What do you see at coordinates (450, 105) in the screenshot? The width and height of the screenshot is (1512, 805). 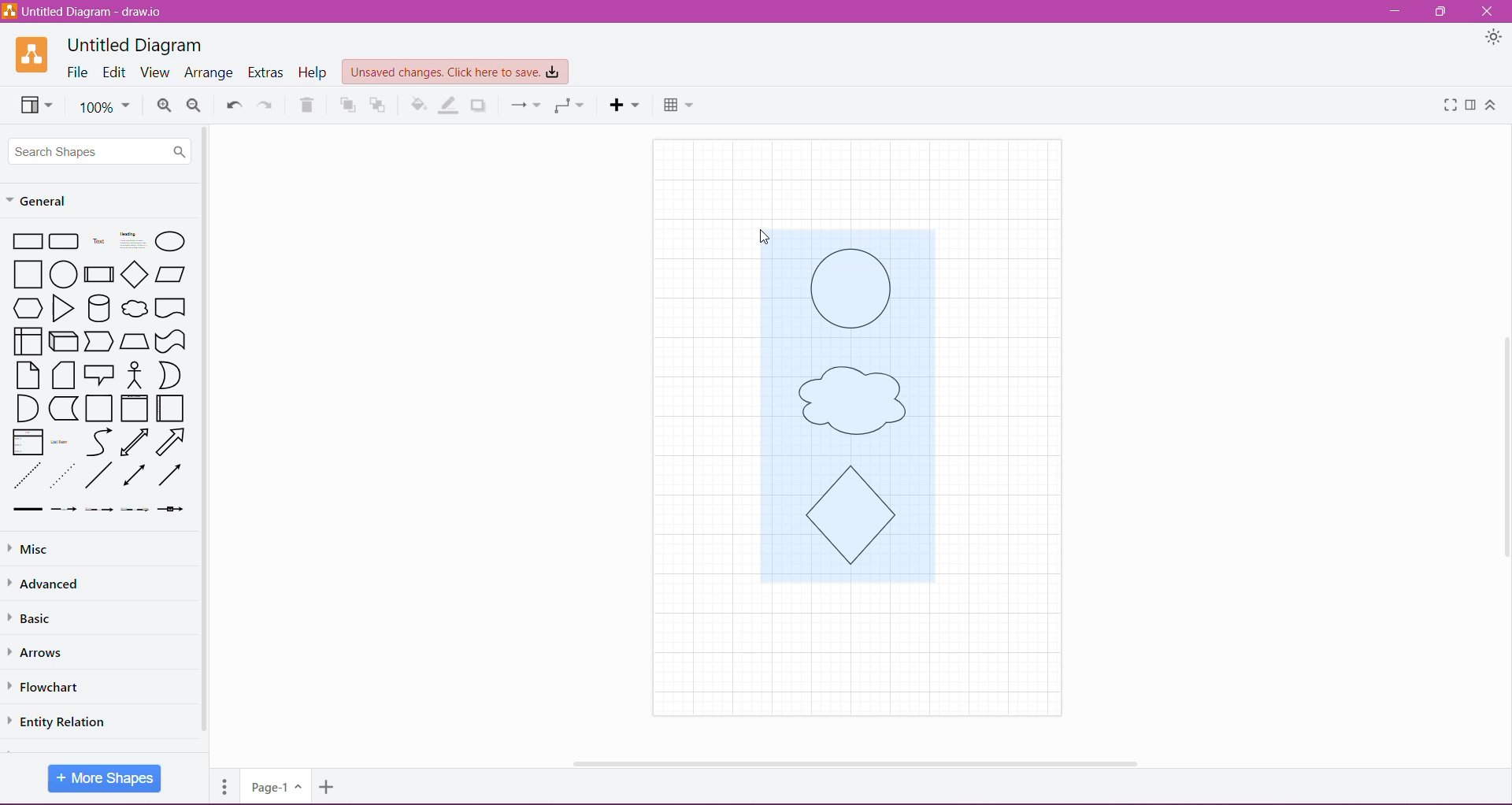 I see `Line Color` at bounding box center [450, 105].